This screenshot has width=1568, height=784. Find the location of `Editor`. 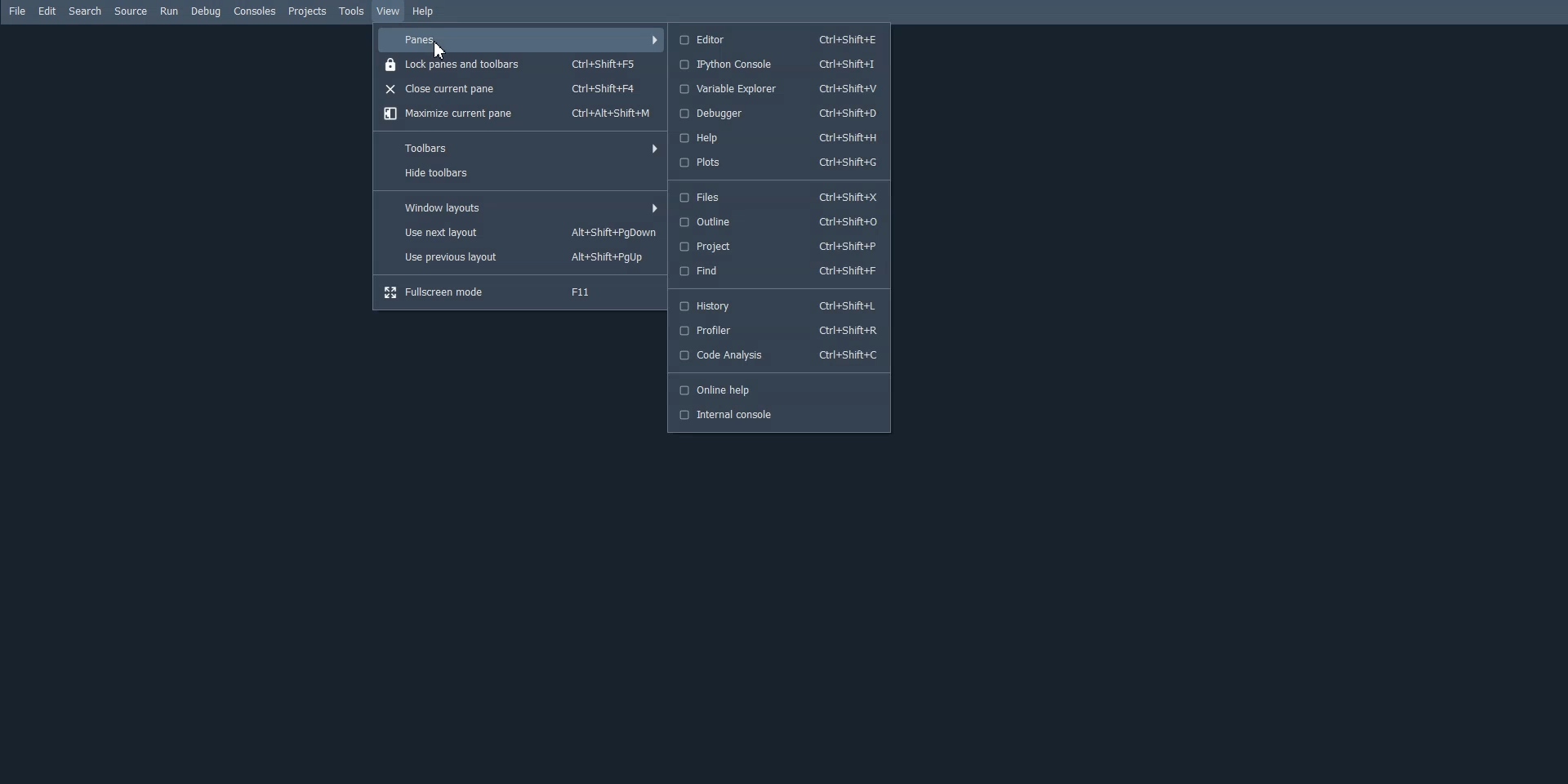

Editor is located at coordinates (776, 38).